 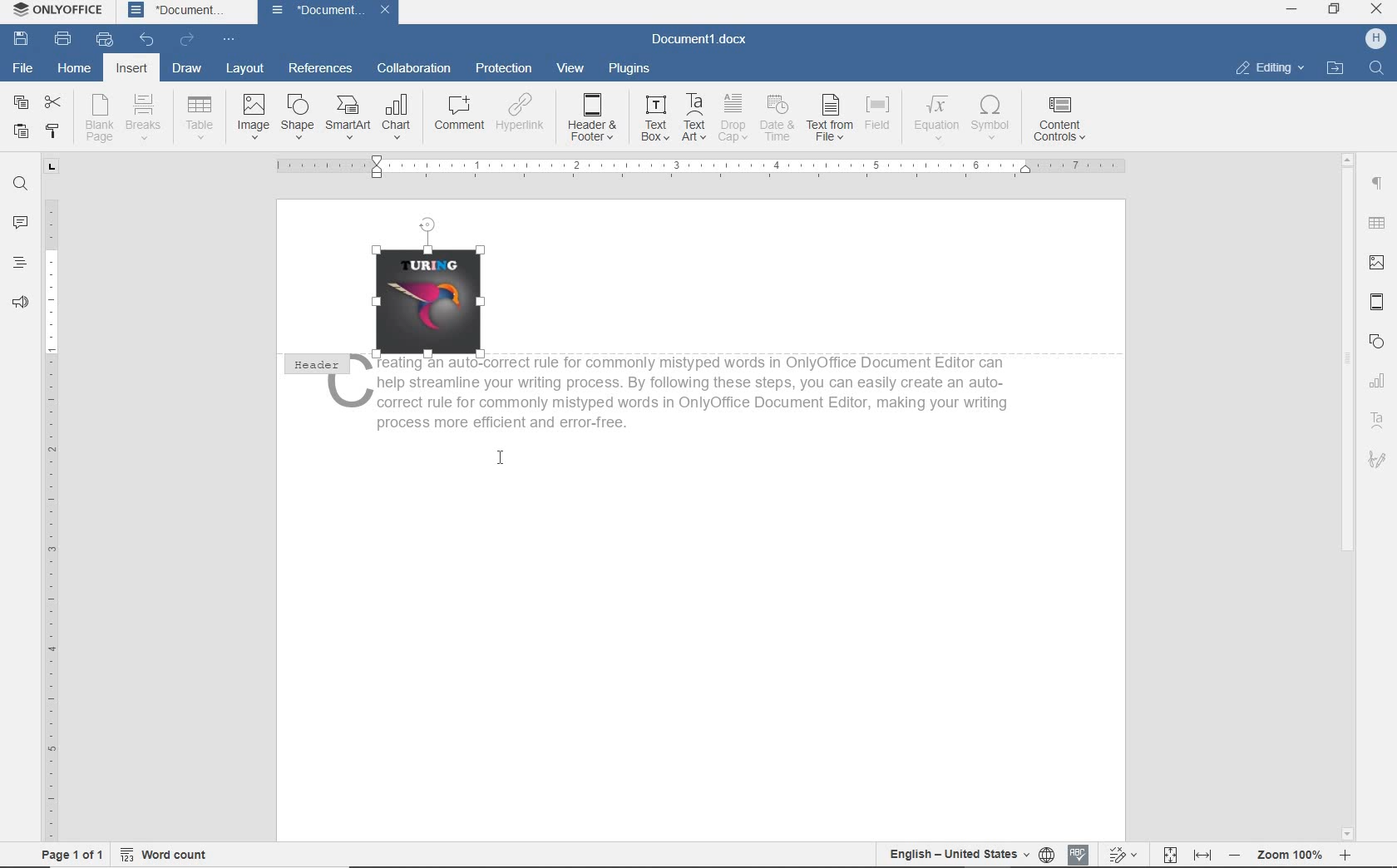 What do you see at coordinates (72, 69) in the screenshot?
I see `HOME` at bounding box center [72, 69].